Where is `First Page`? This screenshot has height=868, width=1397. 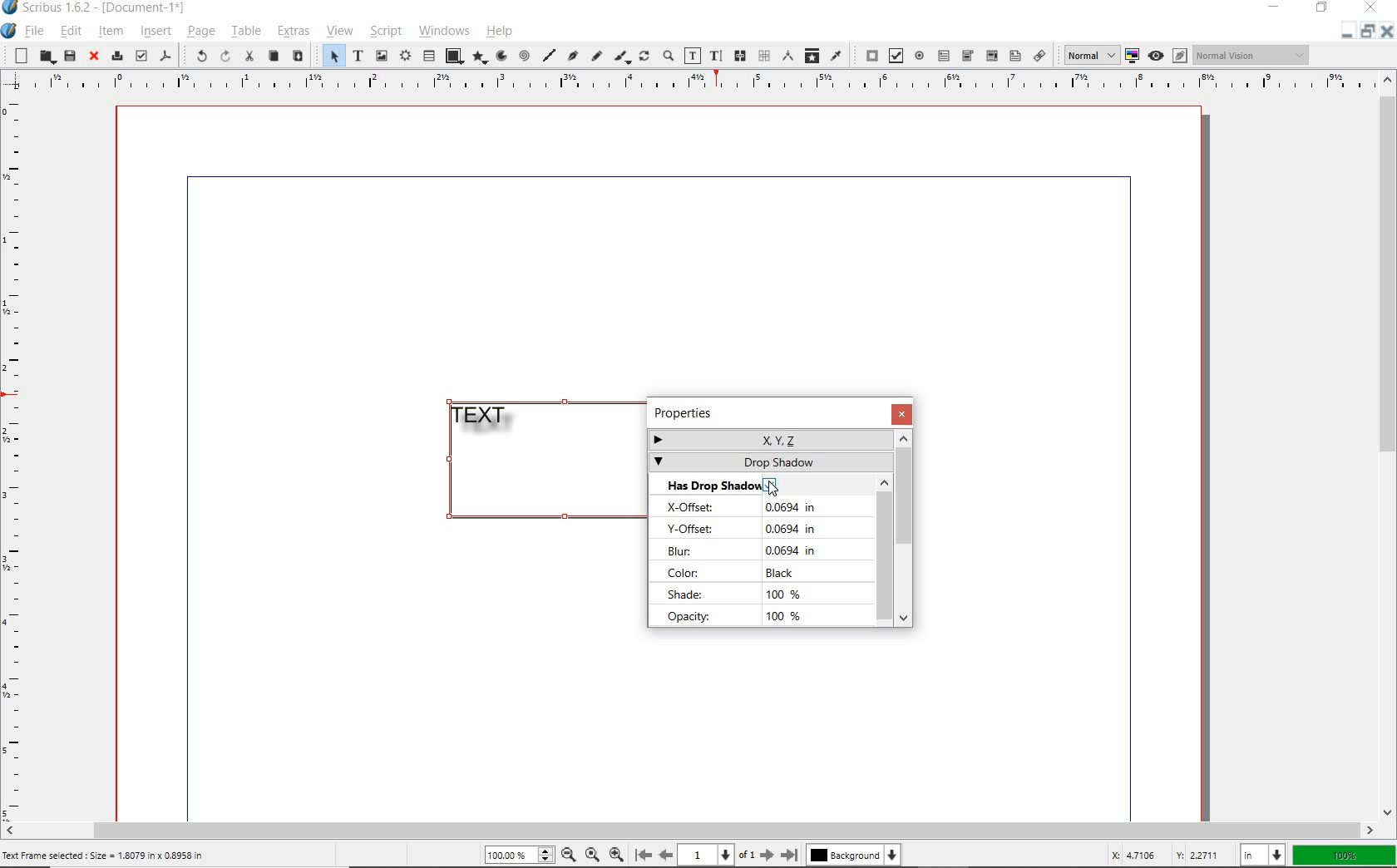
First Page is located at coordinates (644, 856).